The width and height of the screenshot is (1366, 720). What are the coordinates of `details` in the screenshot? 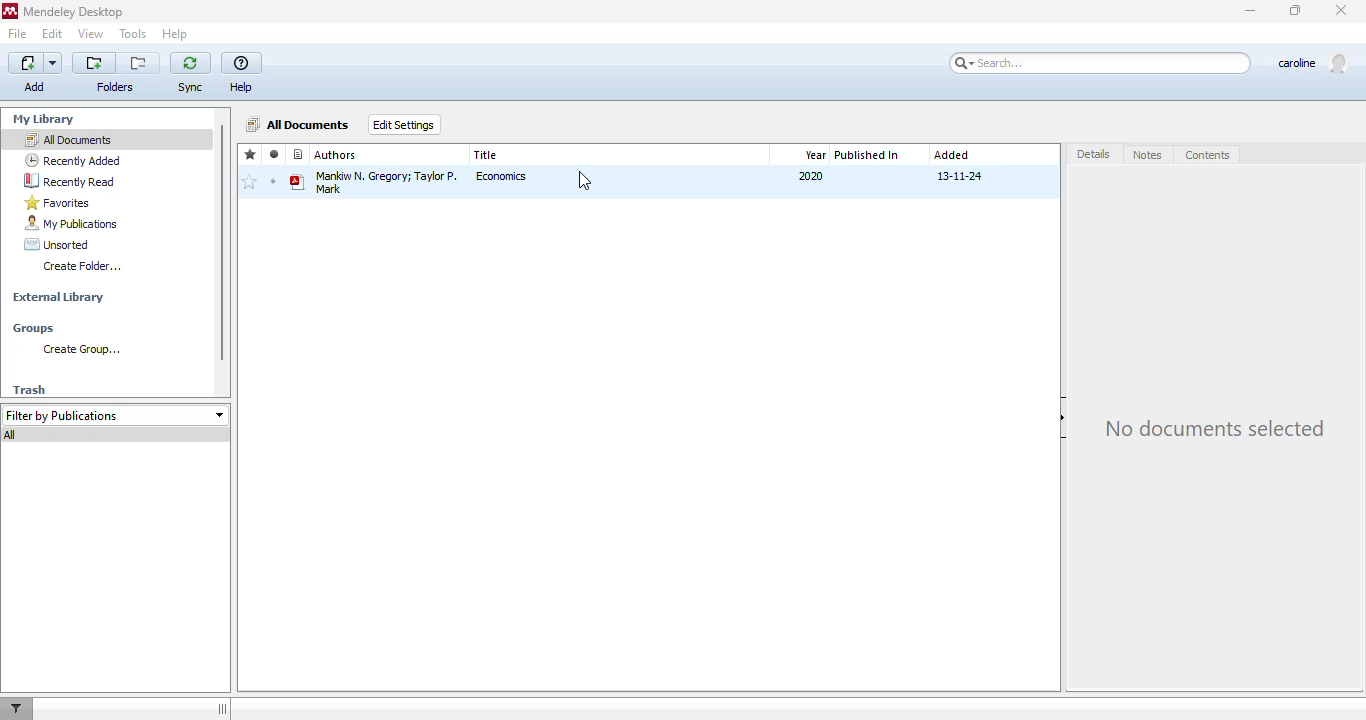 It's located at (1095, 154).